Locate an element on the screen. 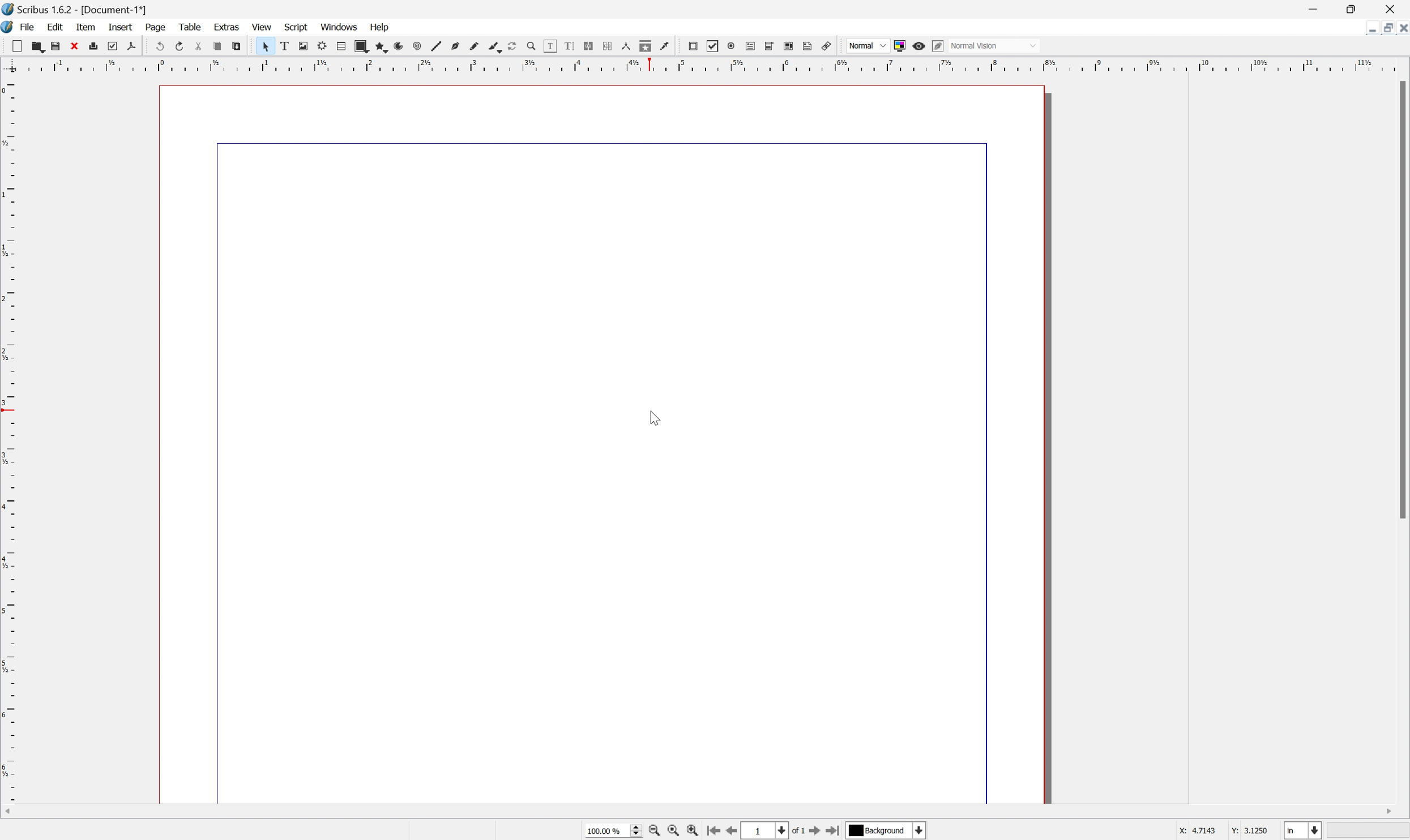  copy is located at coordinates (218, 46).